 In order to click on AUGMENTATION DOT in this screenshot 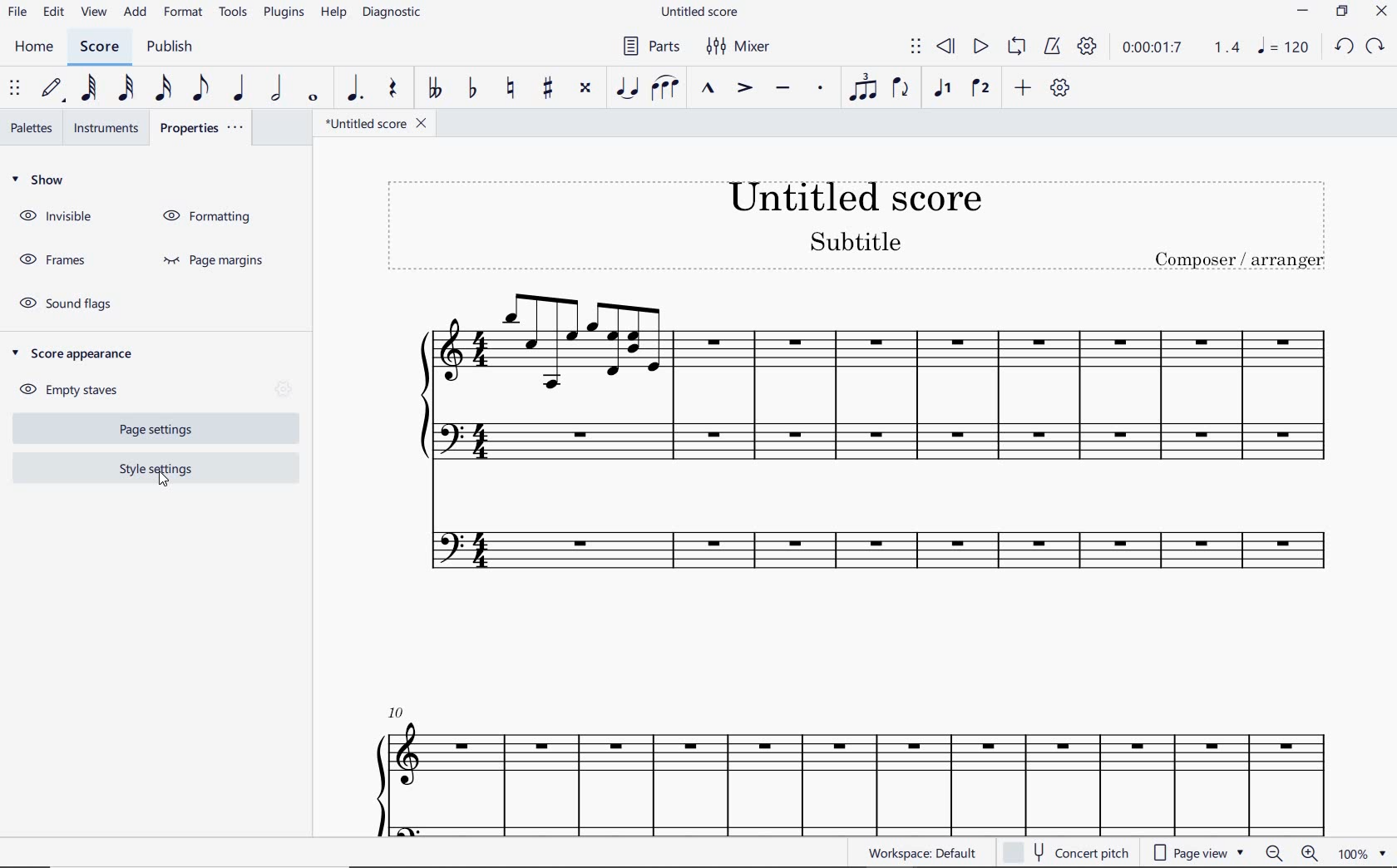, I will do `click(356, 87)`.